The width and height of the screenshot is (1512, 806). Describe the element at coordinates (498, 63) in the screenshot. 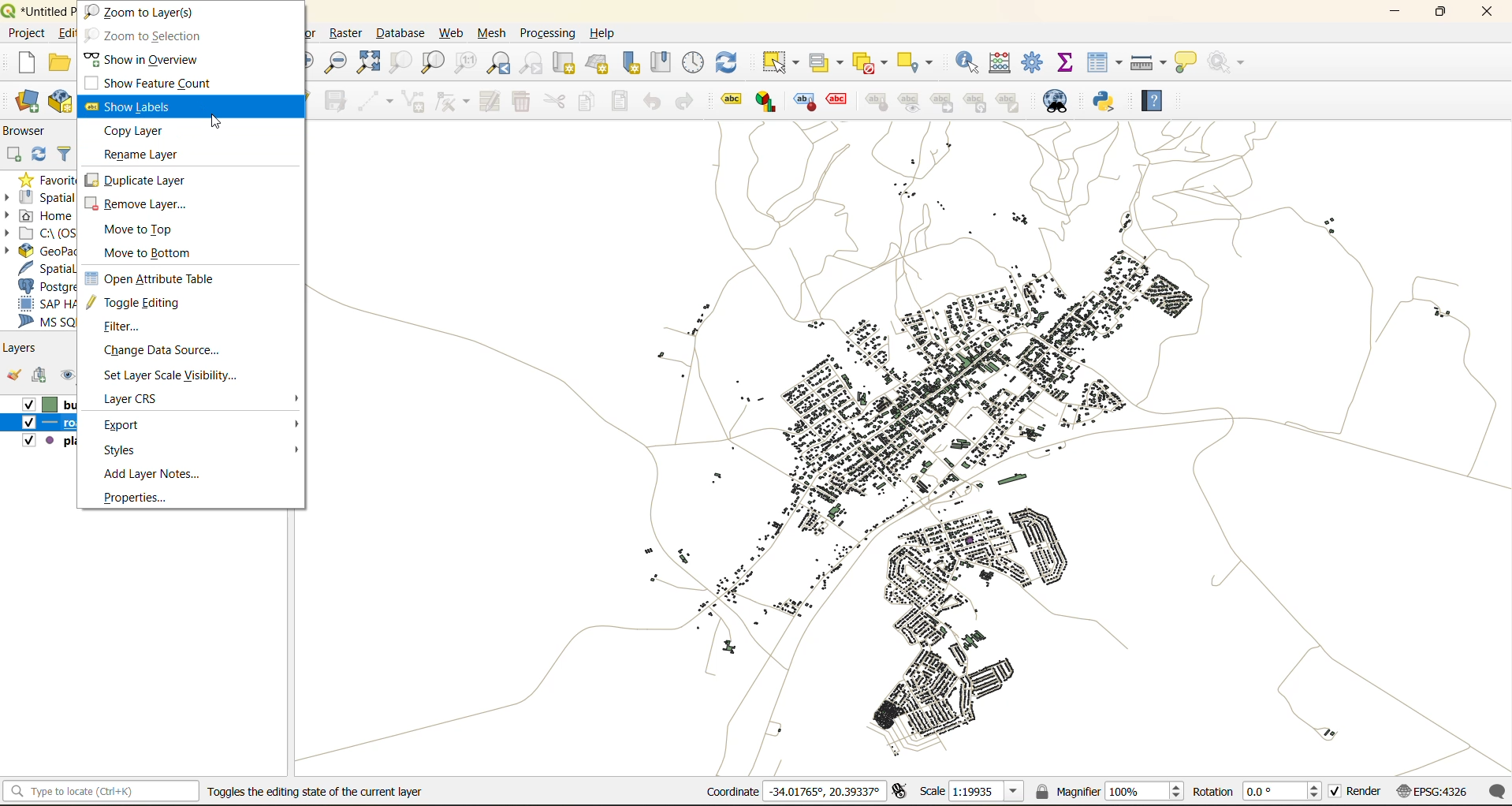

I see `zoom last` at that location.